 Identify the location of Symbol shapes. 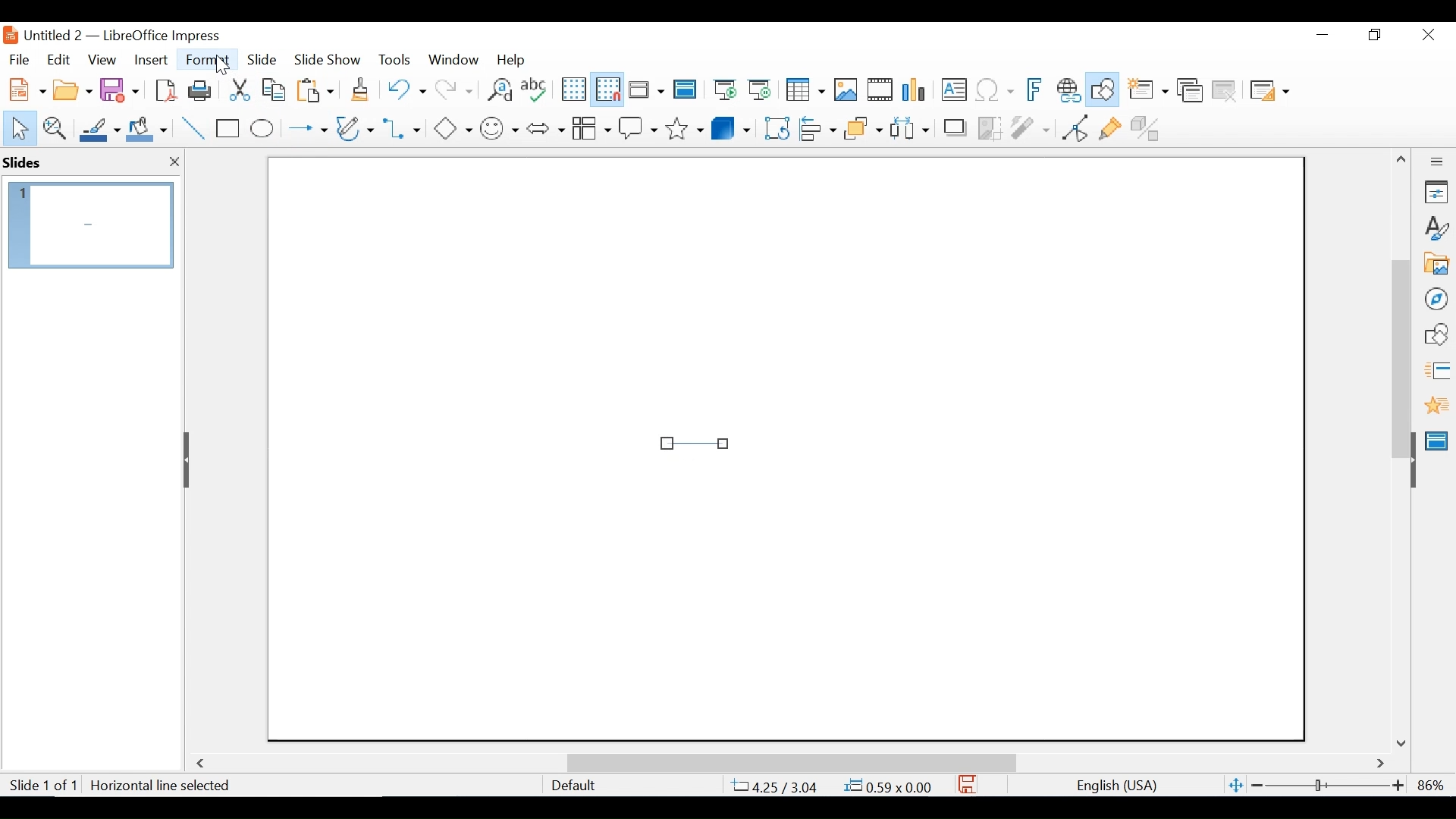
(500, 127).